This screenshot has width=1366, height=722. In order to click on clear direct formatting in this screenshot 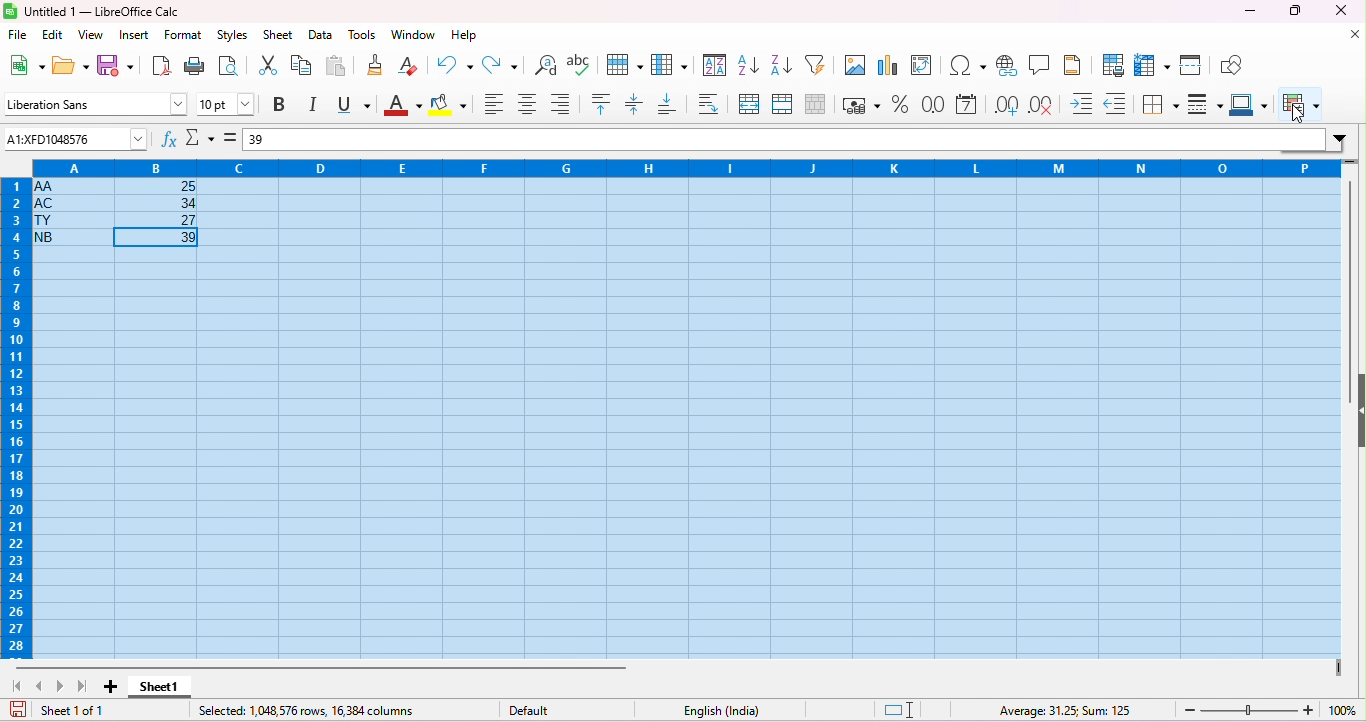, I will do `click(408, 64)`.